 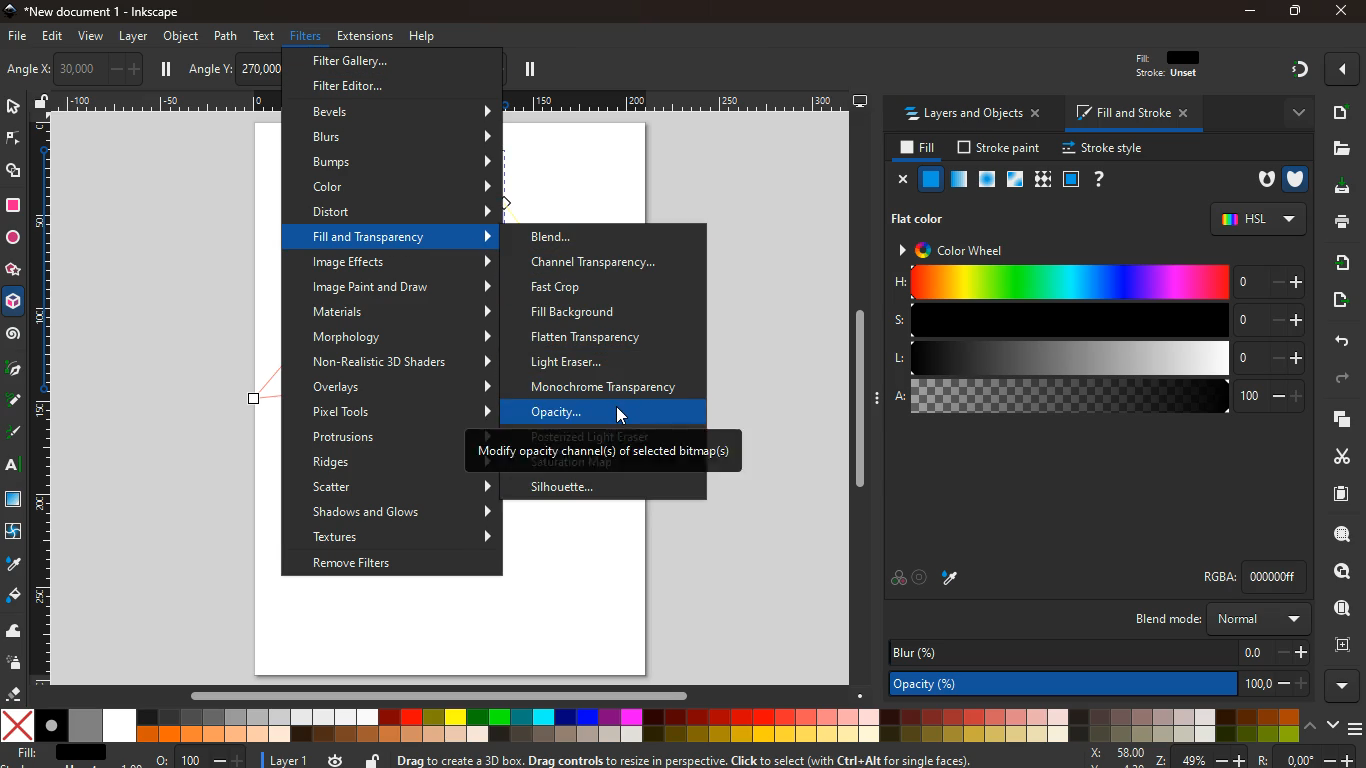 What do you see at coordinates (1135, 115) in the screenshot?
I see `fill and stroke` at bounding box center [1135, 115].